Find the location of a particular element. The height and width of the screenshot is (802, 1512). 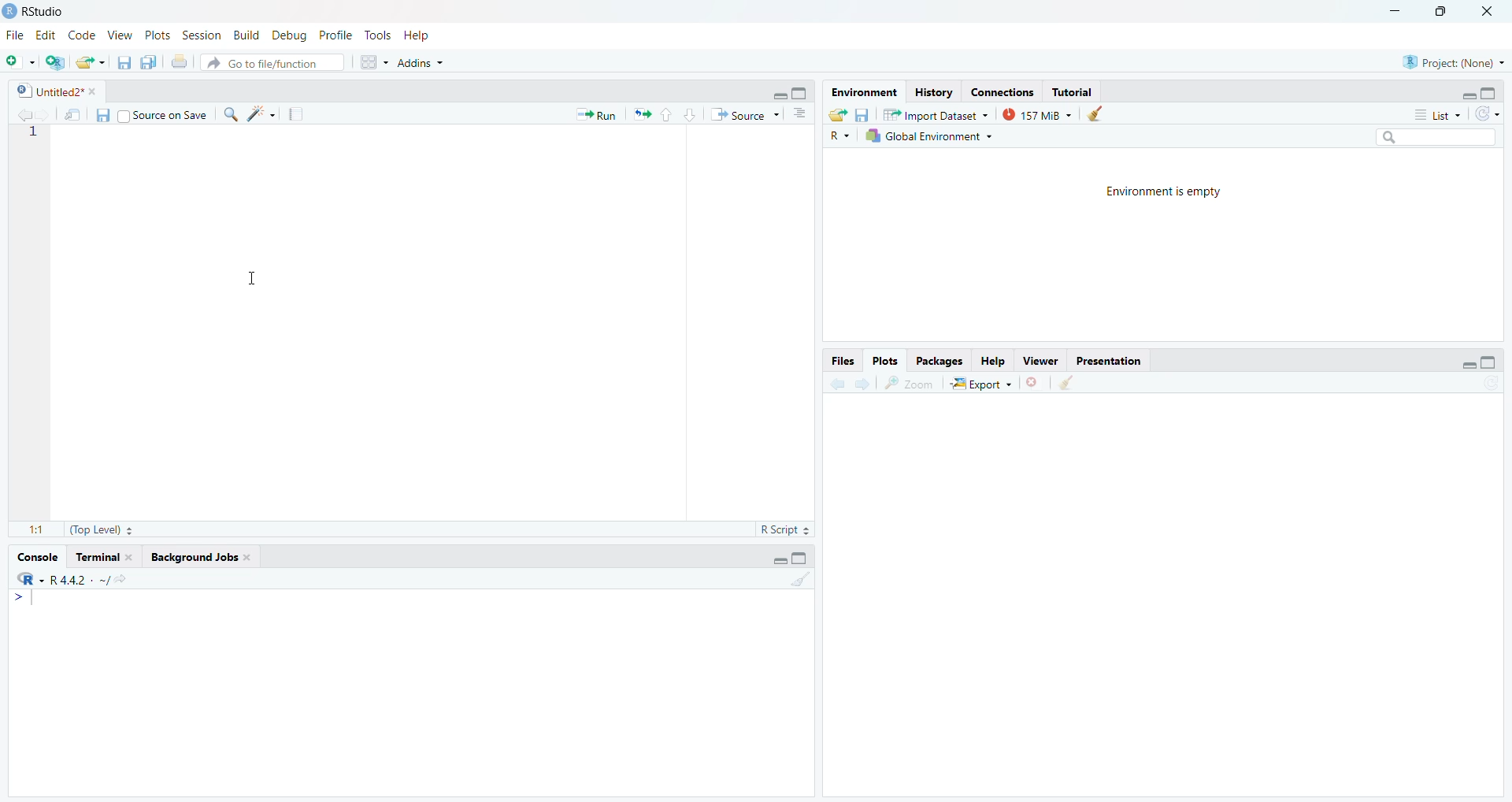

Console is located at coordinates (37, 555).